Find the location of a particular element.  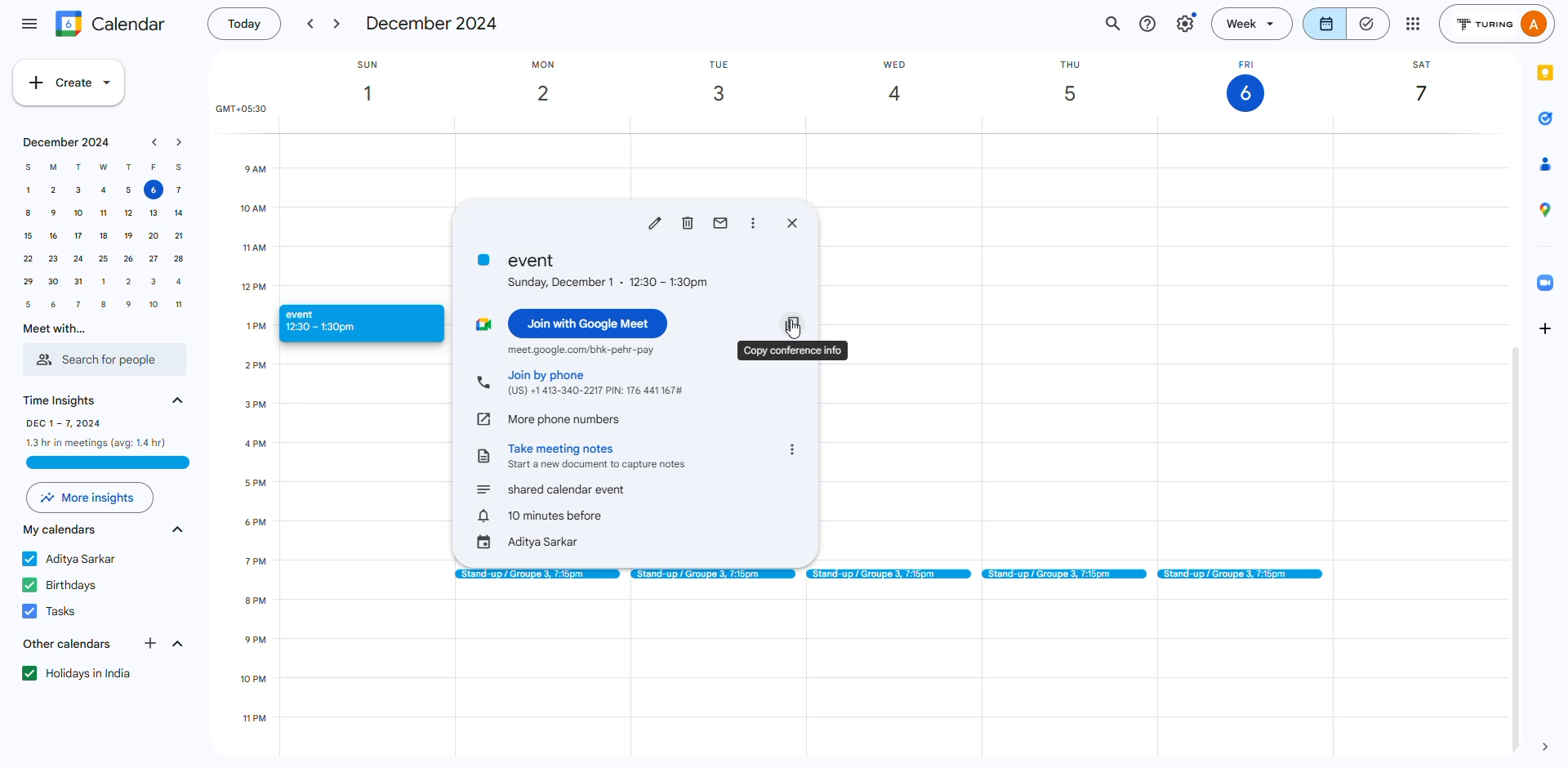

event is located at coordinates (553, 489).